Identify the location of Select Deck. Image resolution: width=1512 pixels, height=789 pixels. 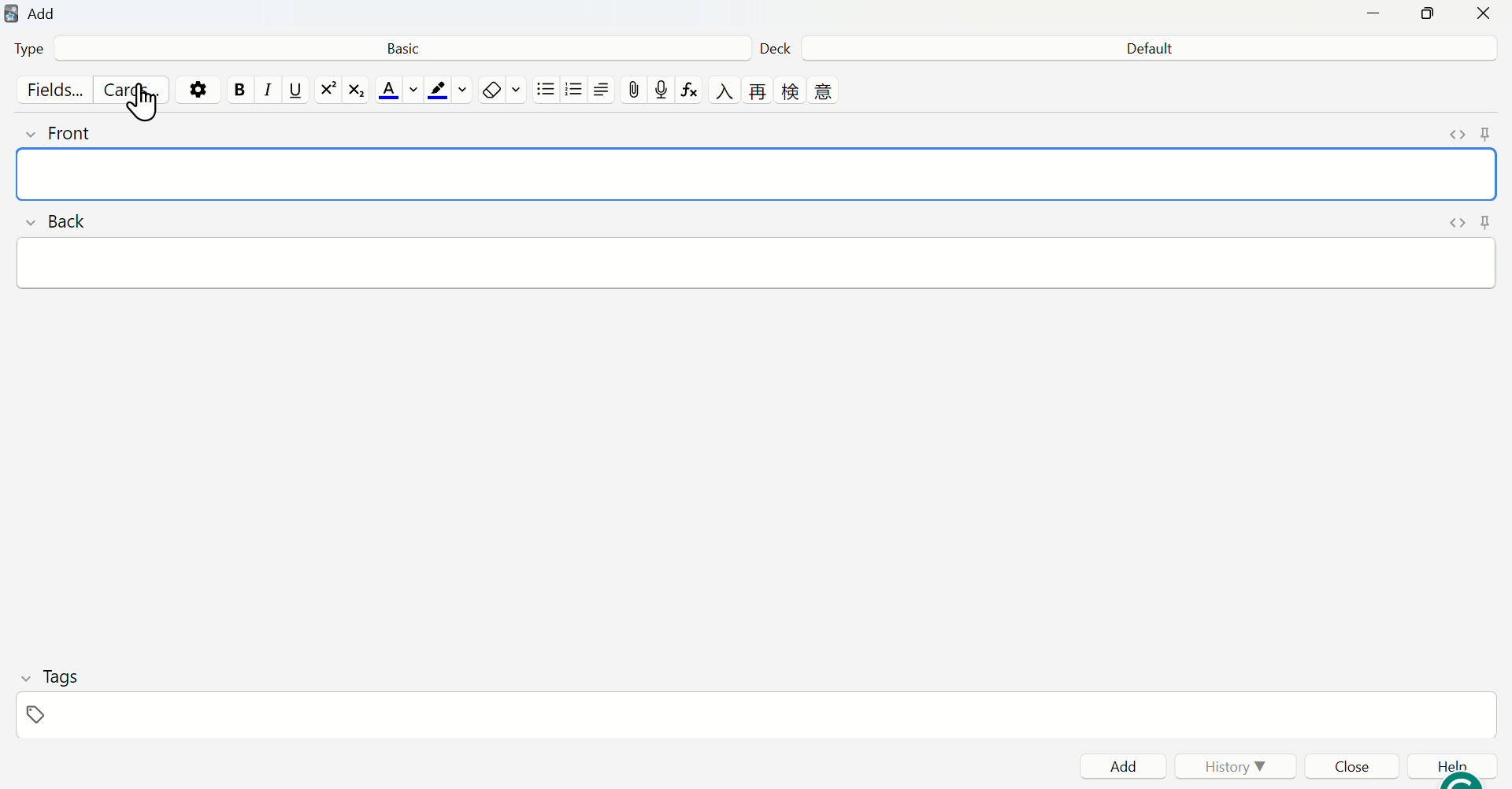
(1151, 47).